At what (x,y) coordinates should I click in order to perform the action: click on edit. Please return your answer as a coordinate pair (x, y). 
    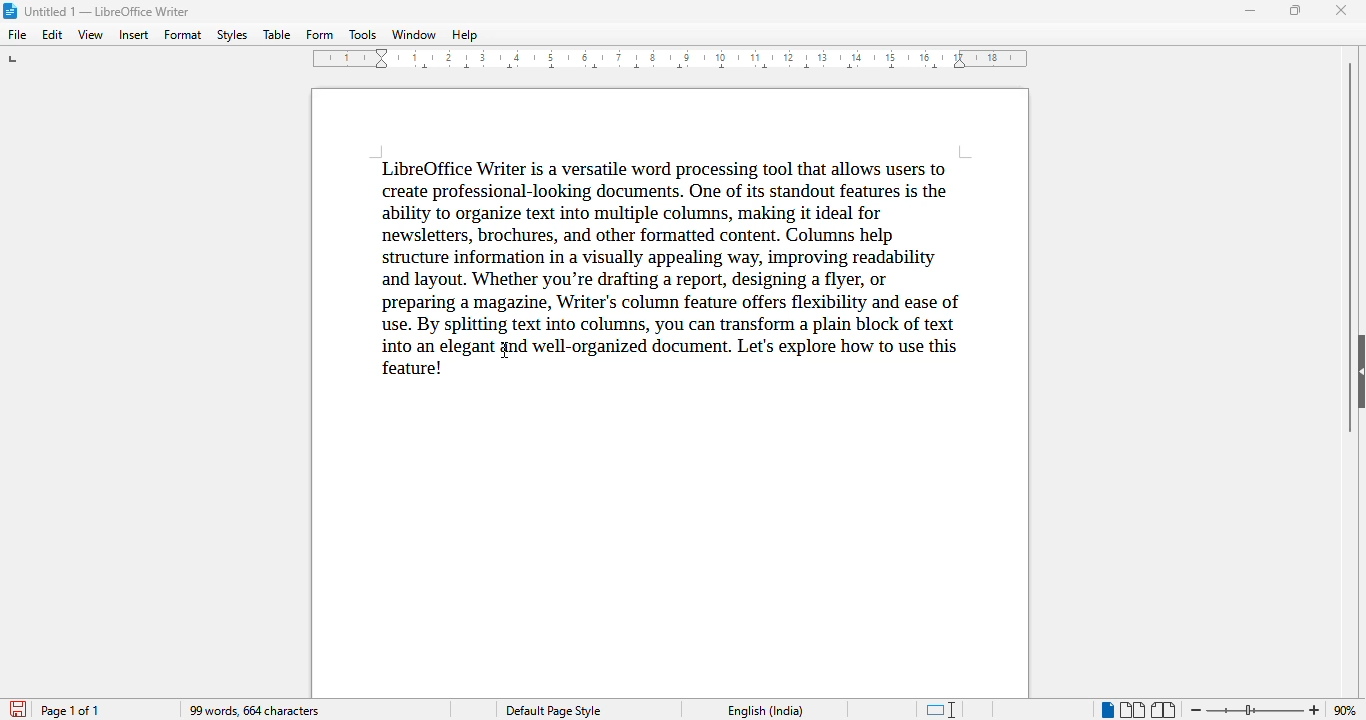
    Looking at the image, I should click on (54, 35).